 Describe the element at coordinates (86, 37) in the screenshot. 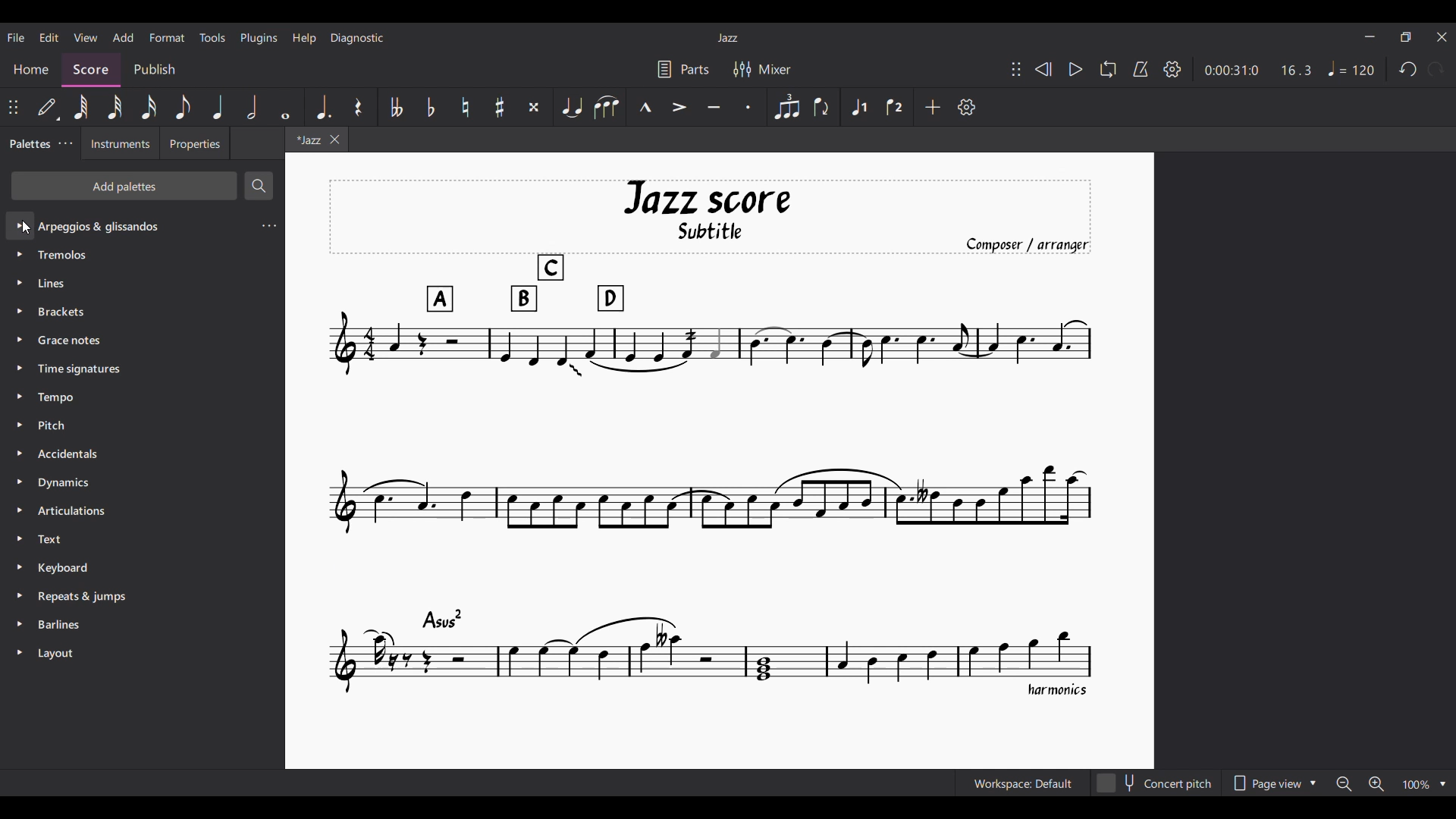

I see `View menu` at that location.